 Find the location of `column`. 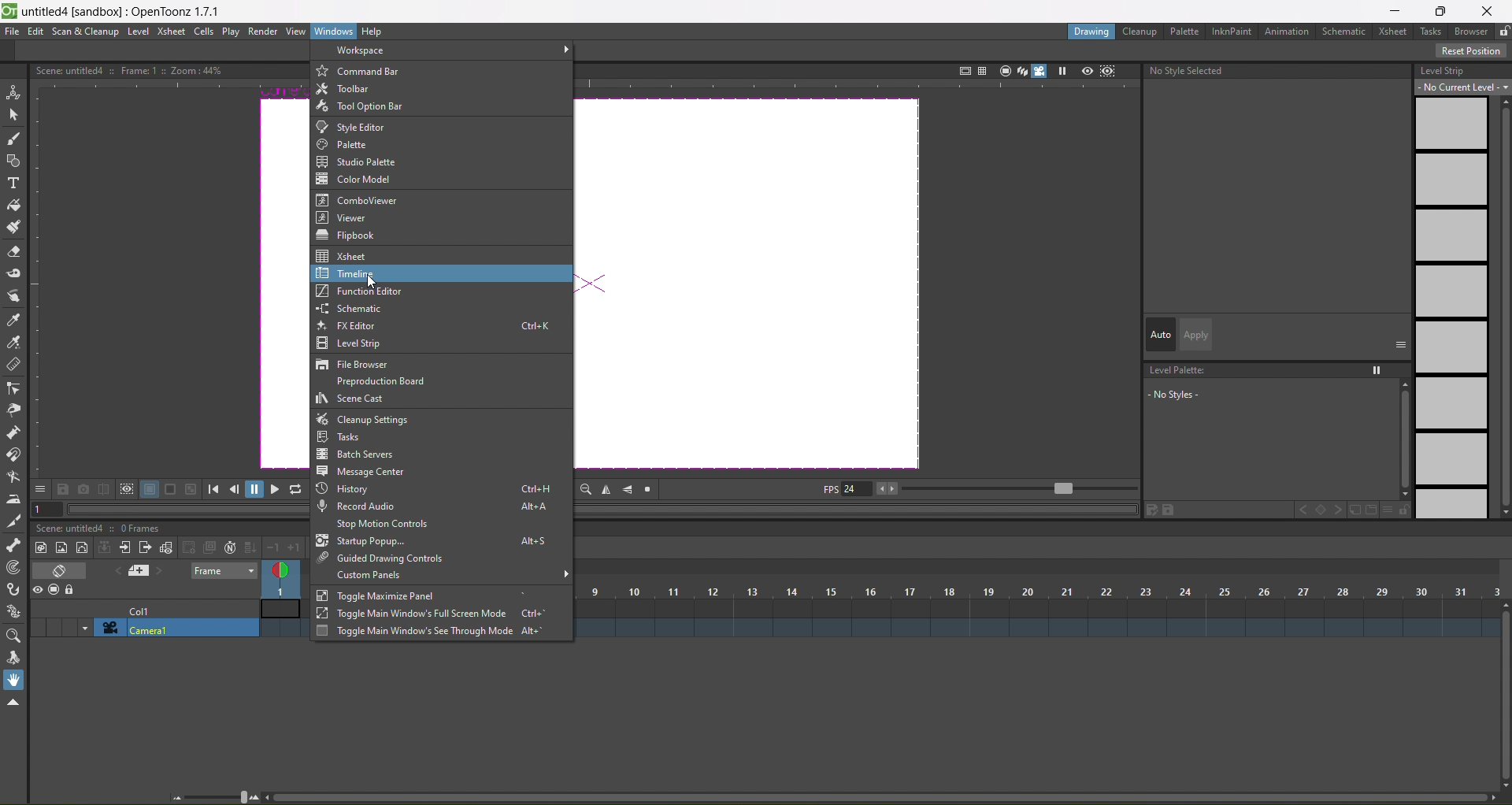

column is located at coordinates (1043, 591).